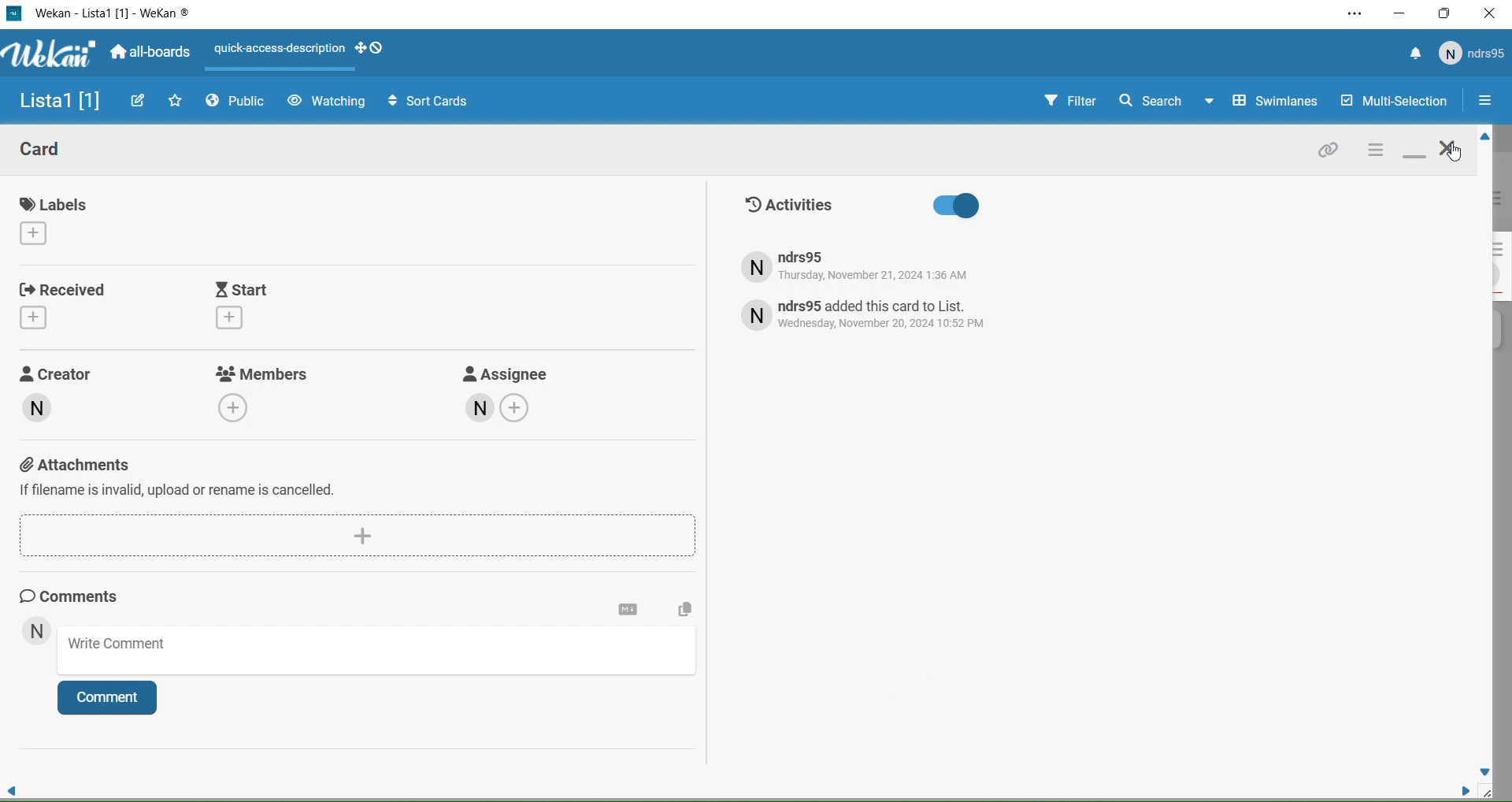  What do you see at coordinates (381, 653) in the screenshot?
I see `Write Comment` at bounding box center [381, 653].